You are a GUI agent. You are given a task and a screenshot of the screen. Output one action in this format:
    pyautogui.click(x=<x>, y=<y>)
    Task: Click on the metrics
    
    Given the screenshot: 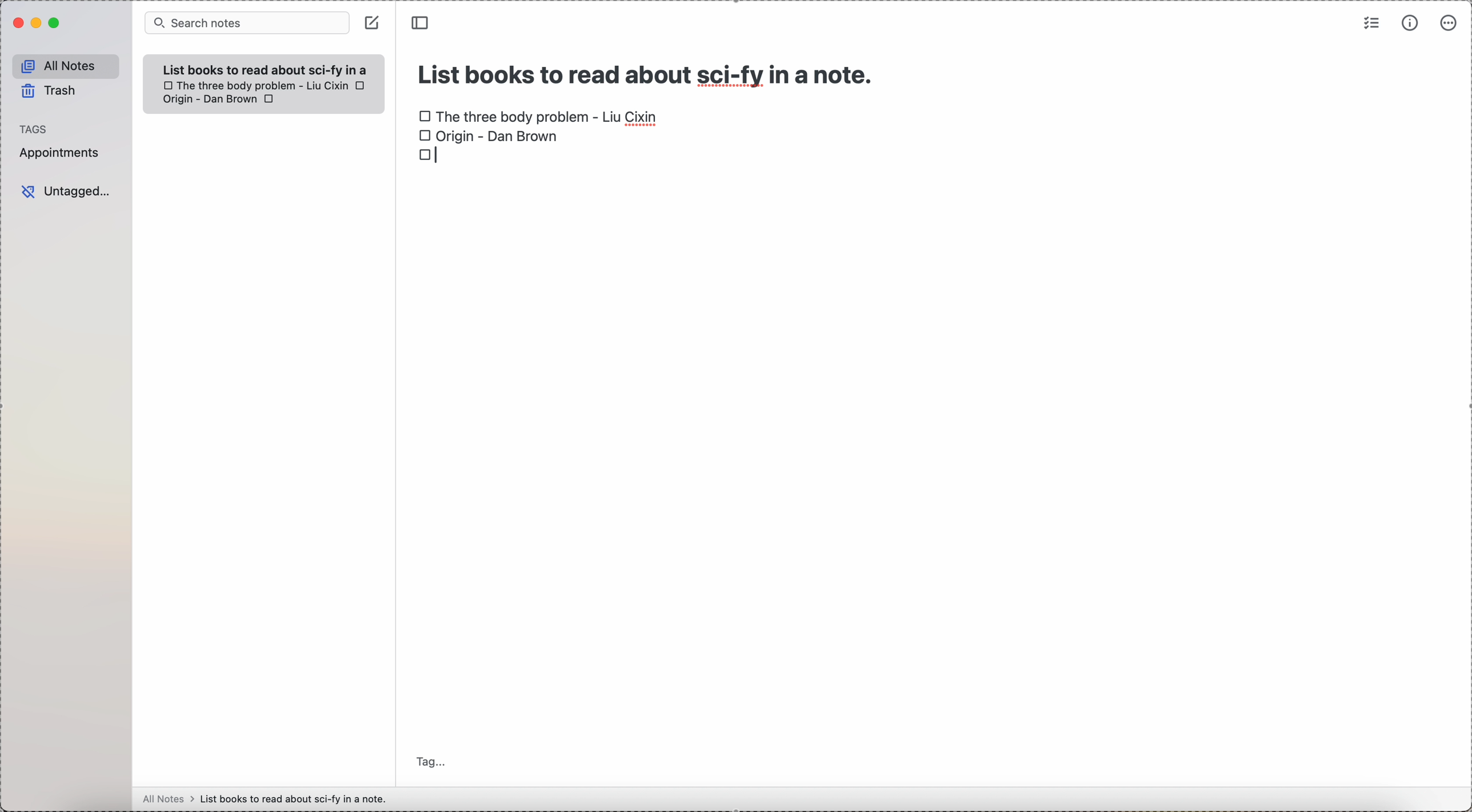 What is the action you would take?
    pyautogui.click(x=1407, y=23)
    